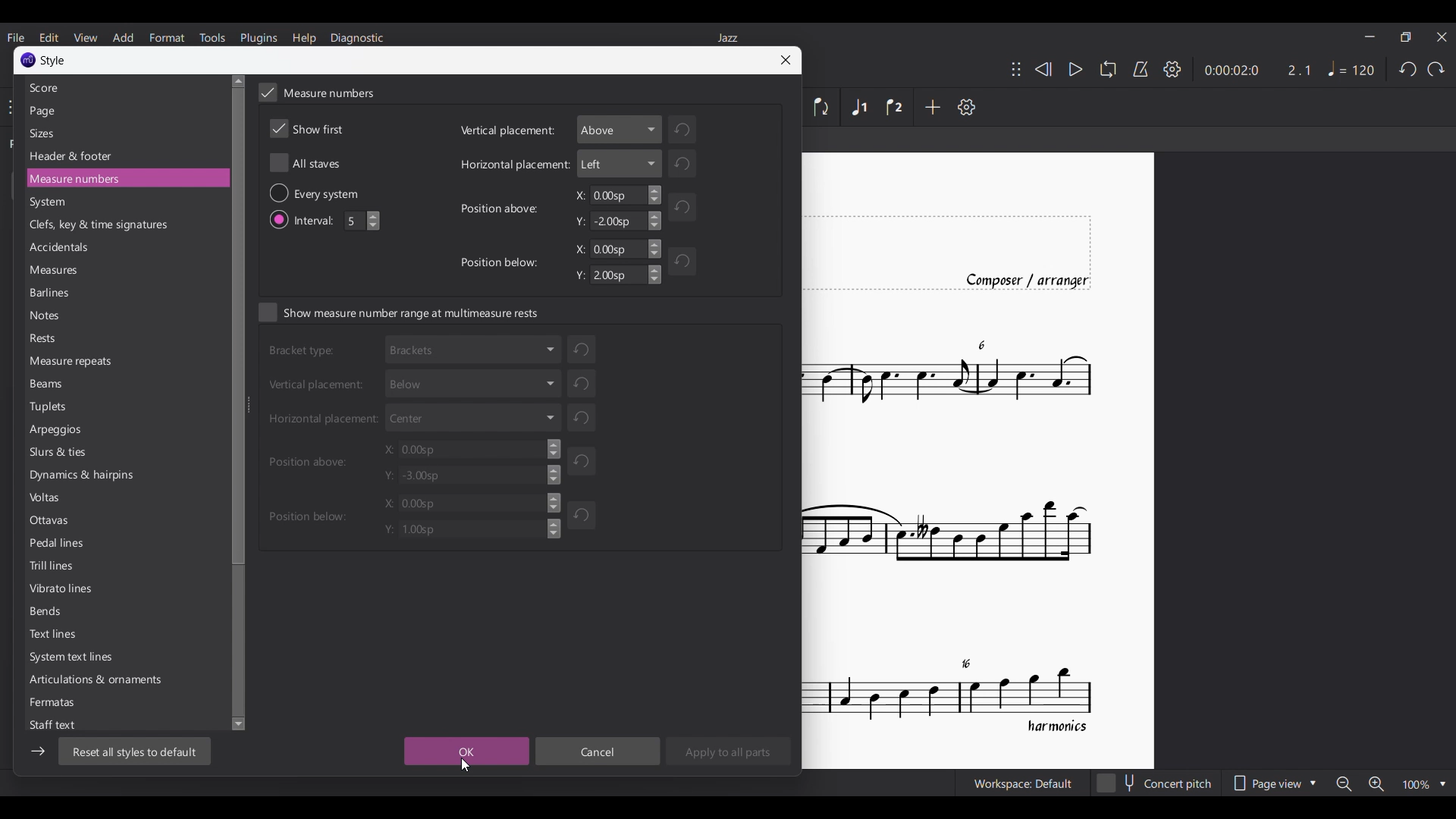 The height and width of the screenshot is (819, 1456). Describe the element at coordinates (45, 111) in the screenshot. I see `Page` at that location.